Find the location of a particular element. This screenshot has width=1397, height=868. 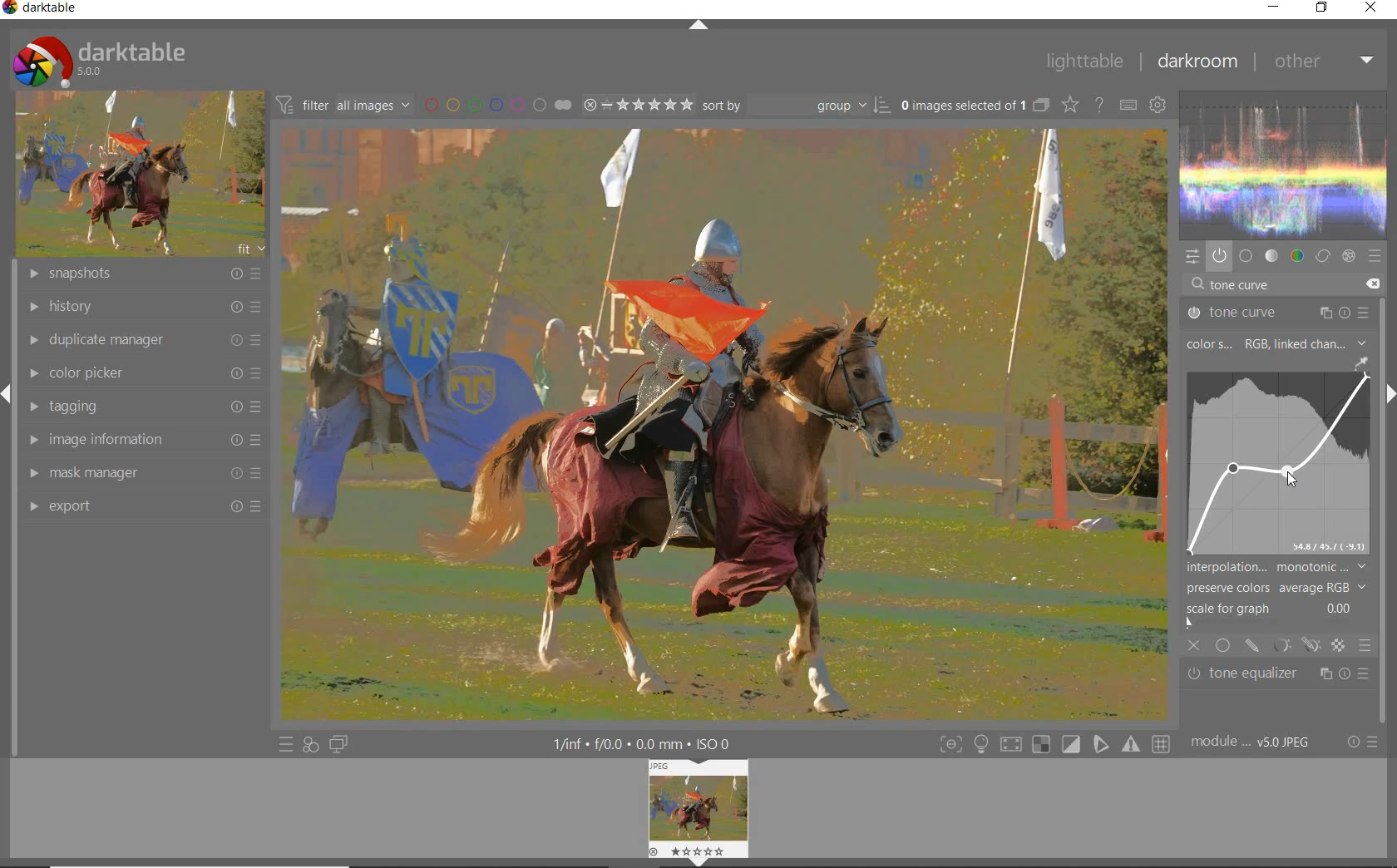

mask options is located at coordinates (1294, 645).